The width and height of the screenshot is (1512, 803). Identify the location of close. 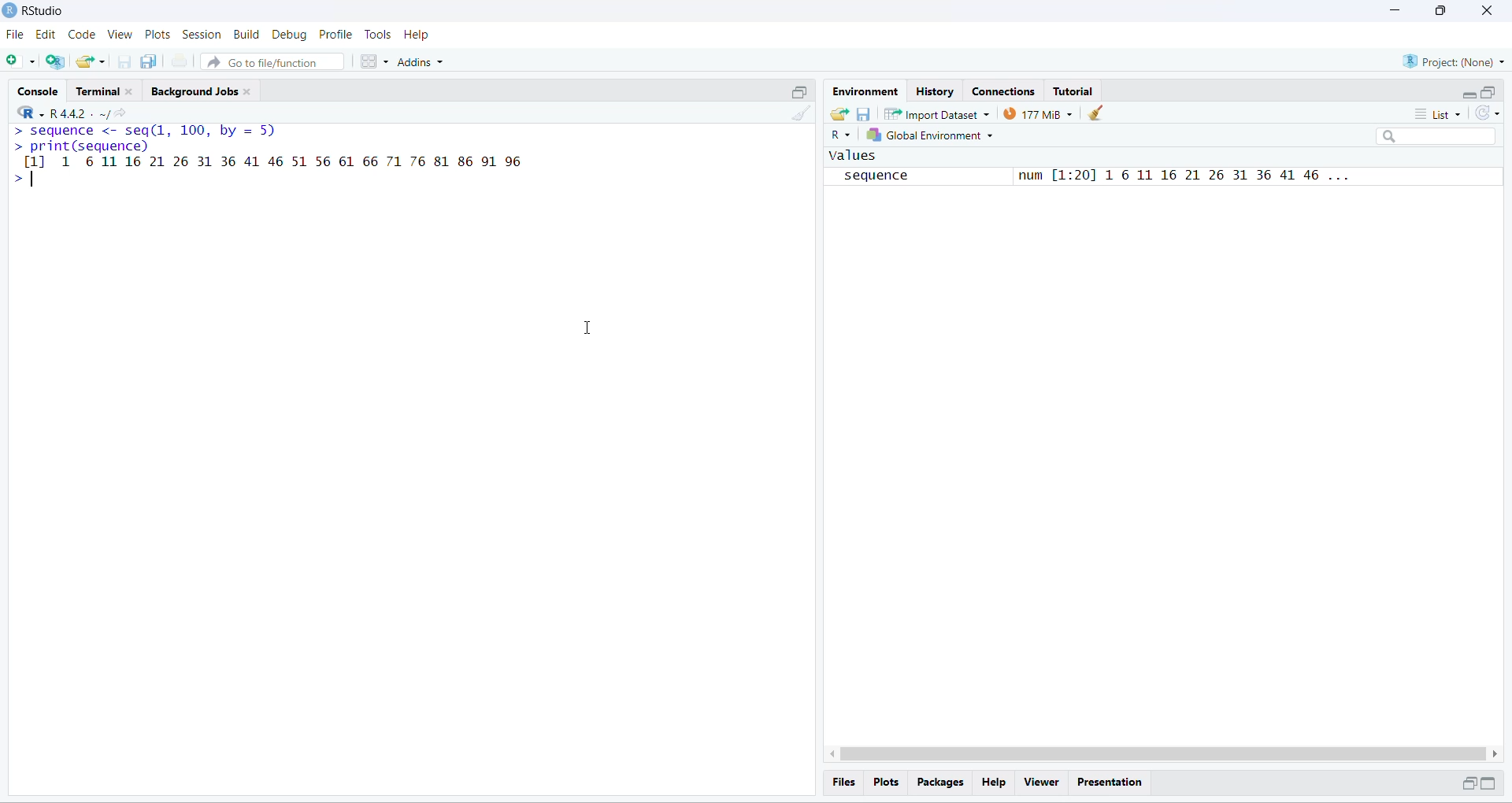
(131, 92).